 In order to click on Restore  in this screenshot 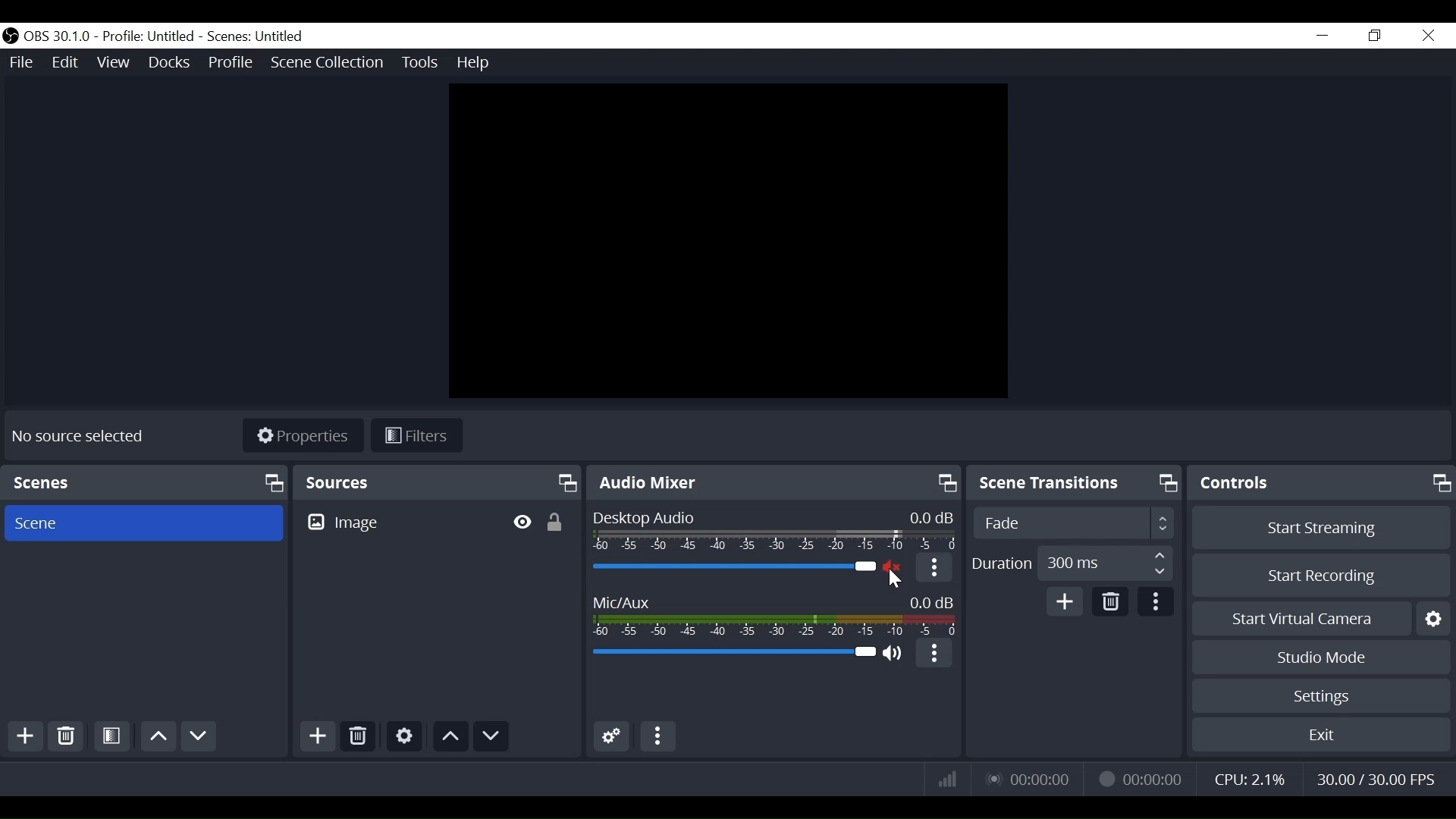, I will do `click(1372, 35)`.